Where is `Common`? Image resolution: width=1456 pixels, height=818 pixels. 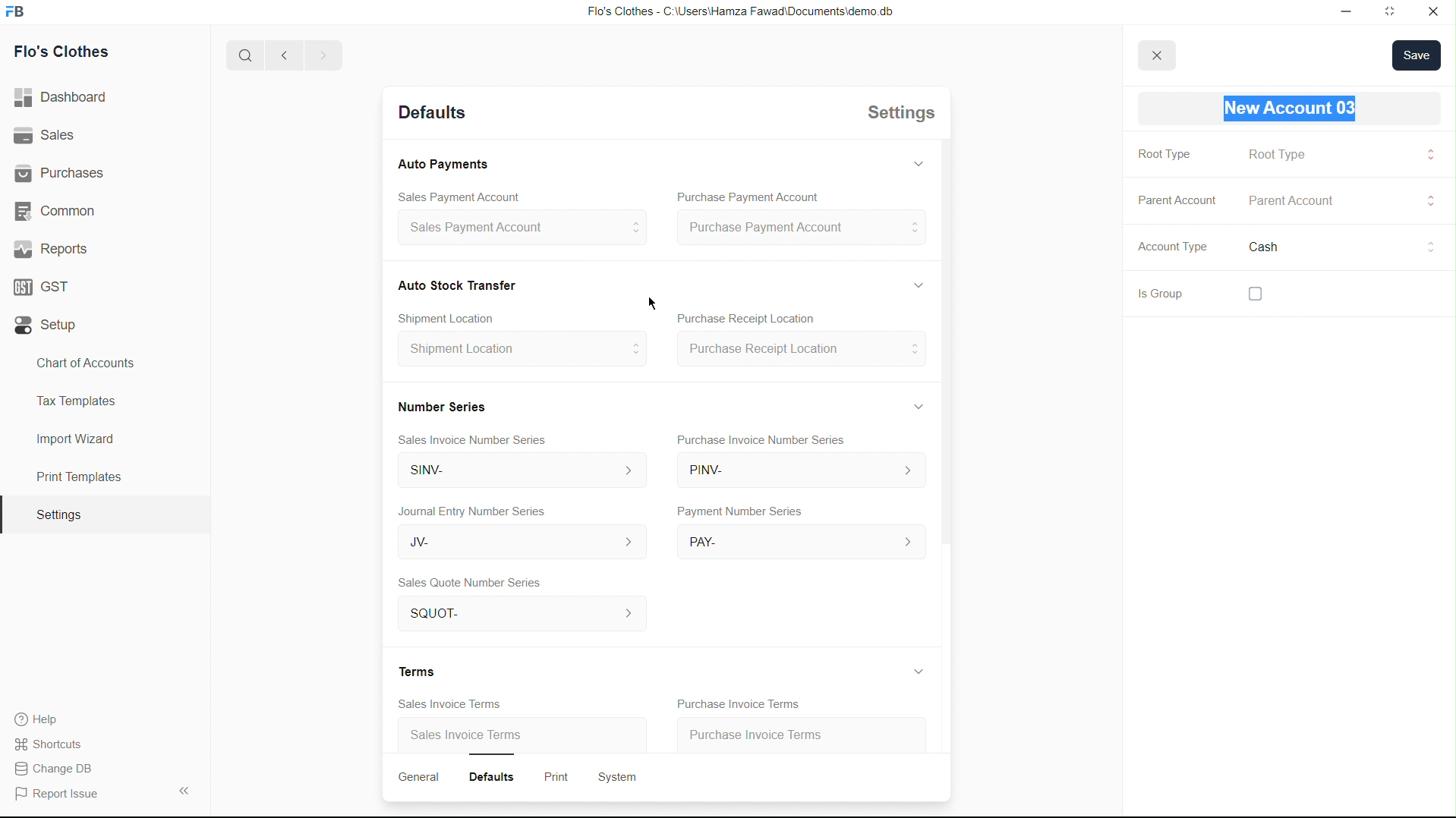
Common is located at coordinates (58, 209).